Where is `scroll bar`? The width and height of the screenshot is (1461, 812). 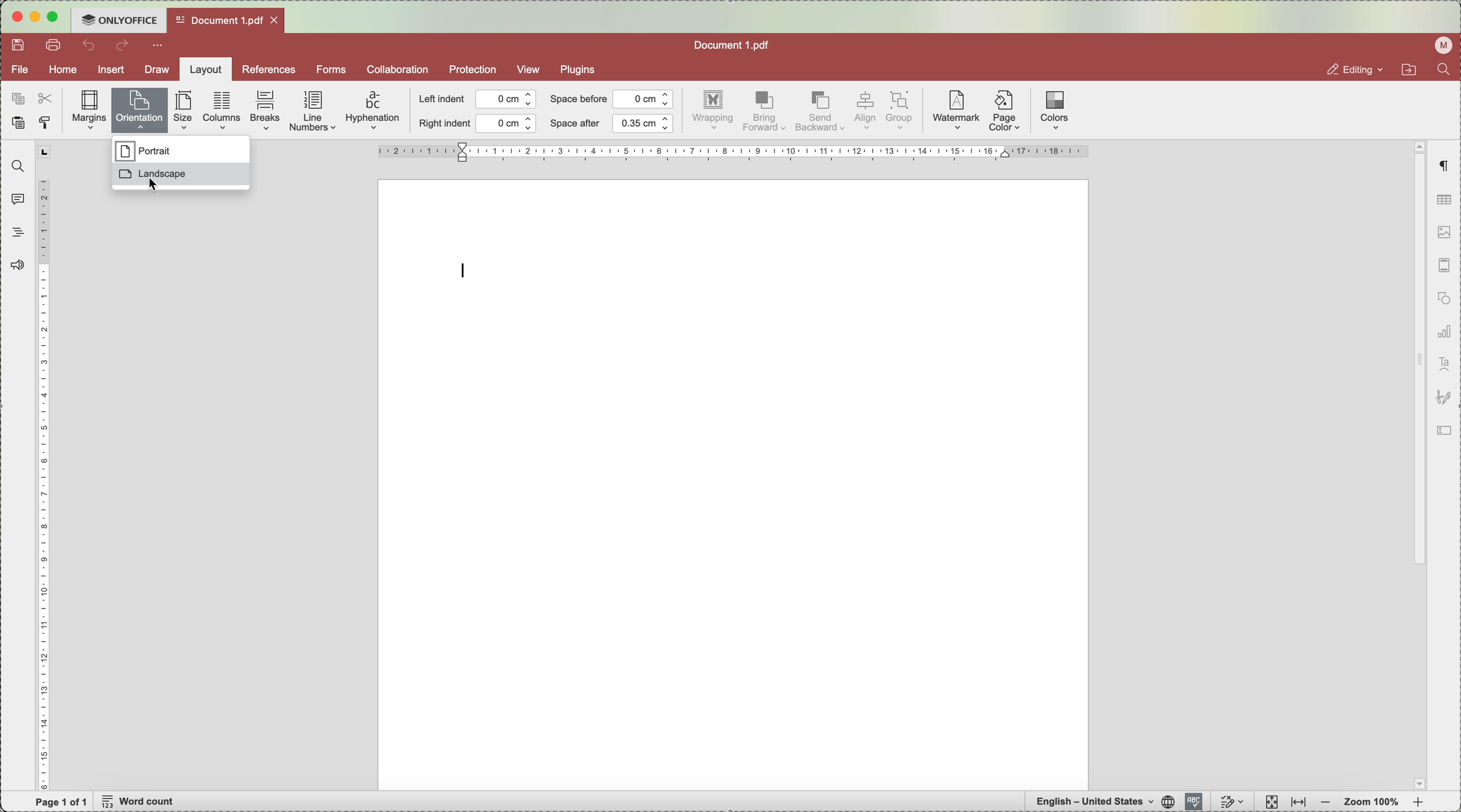
scroll bar is located at coordinates (1417, 355).